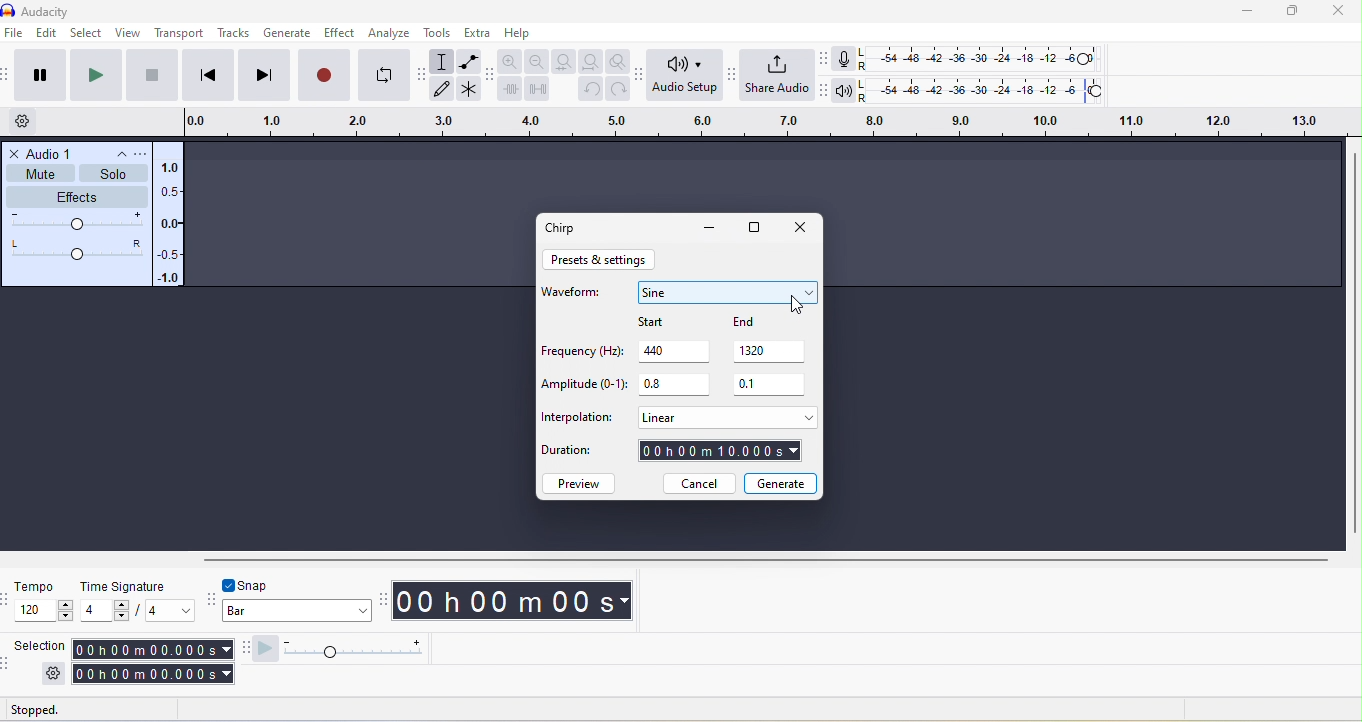 The width and height of the screenshot is (1362, 722). Describe the element at coordinates (205, 76) in the screenshot. I see `skip to start` at that location.